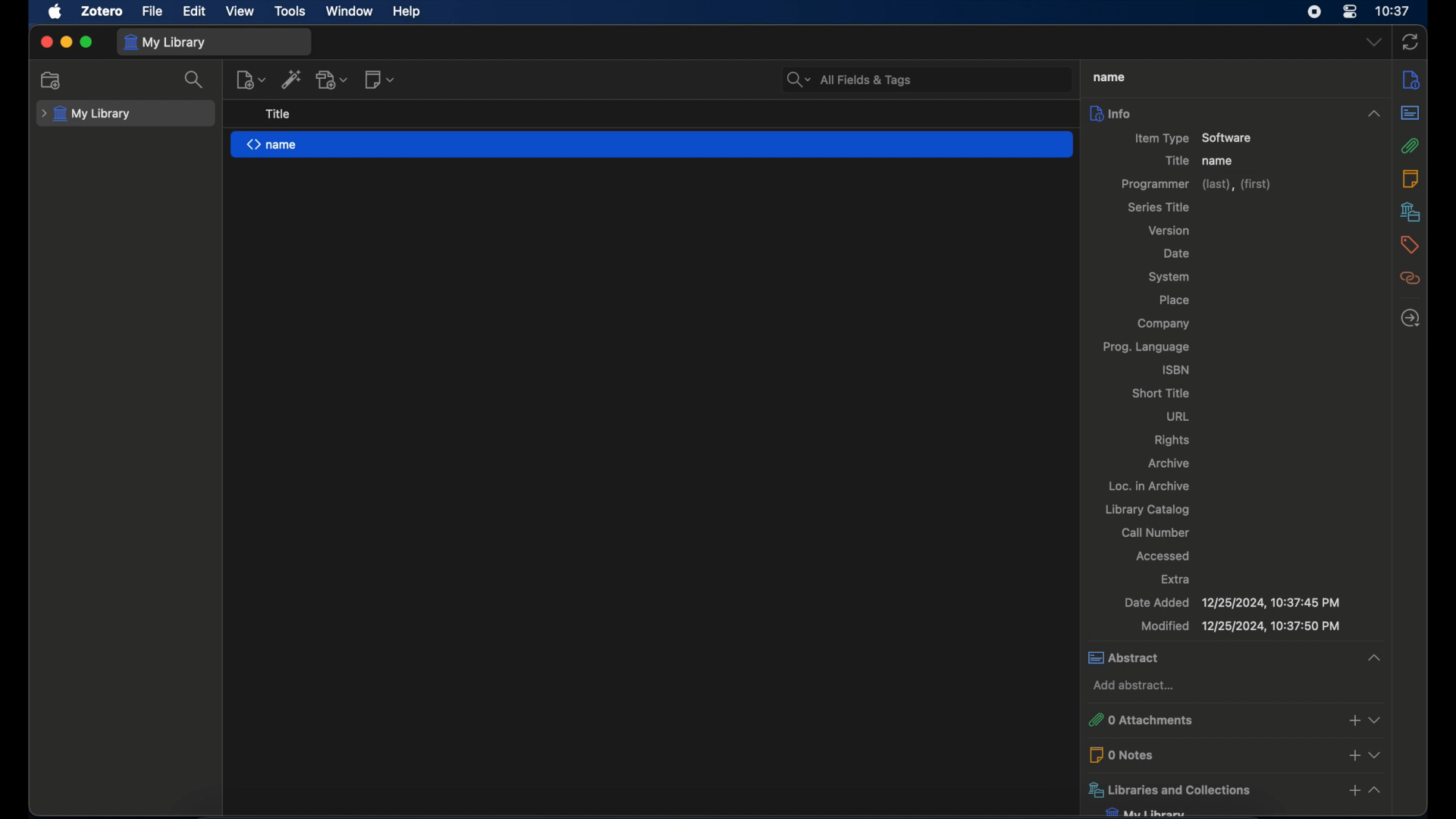 The width and height of the screenshot is (1456, 819). Describe the element at coordinates (940, 80) in the screenshot. I see `search bar input` at that location.